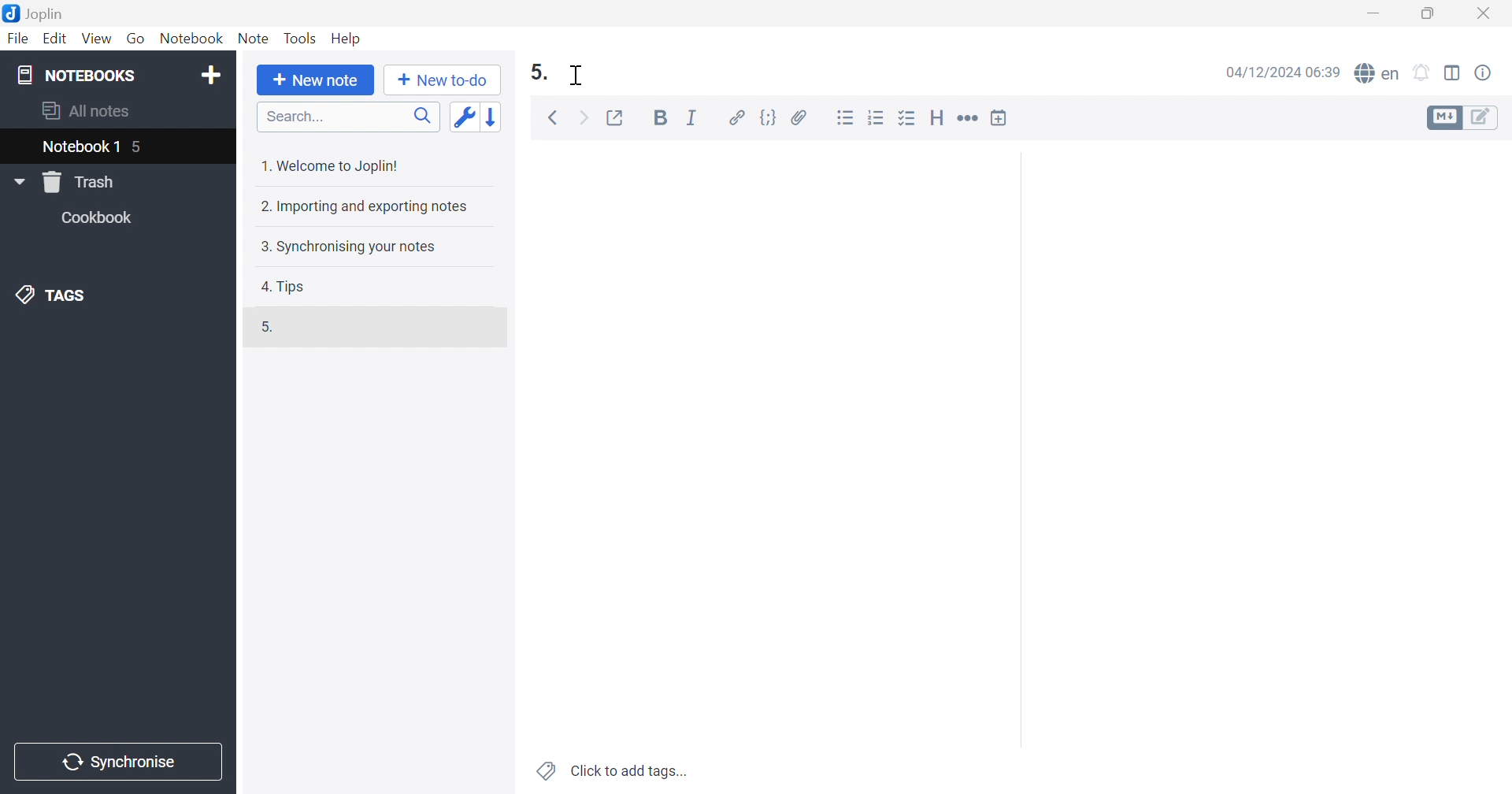  I want to click on Cookbook, so click(102, 217).